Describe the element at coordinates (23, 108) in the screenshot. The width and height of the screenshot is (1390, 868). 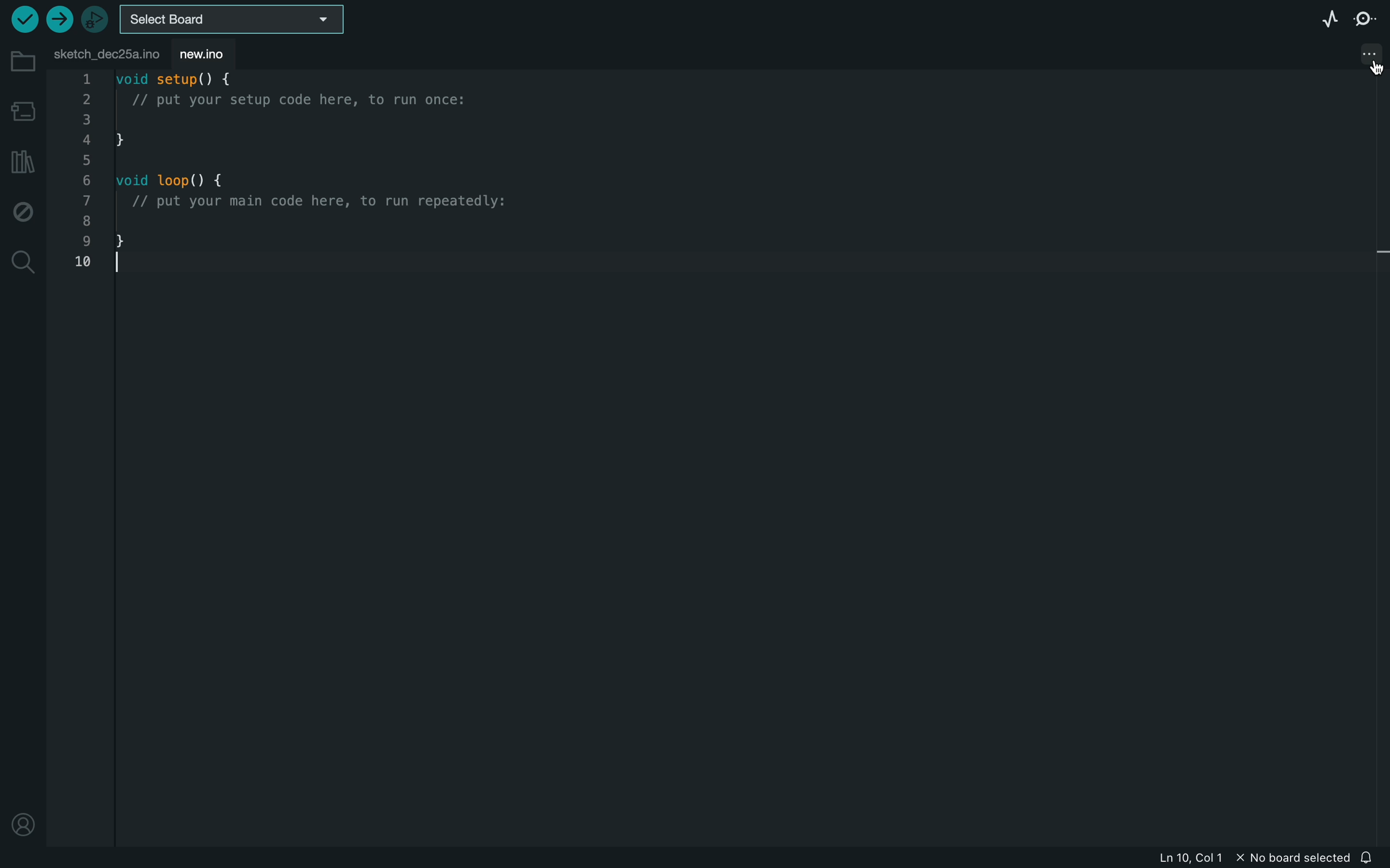
I see `board manager` at that location.